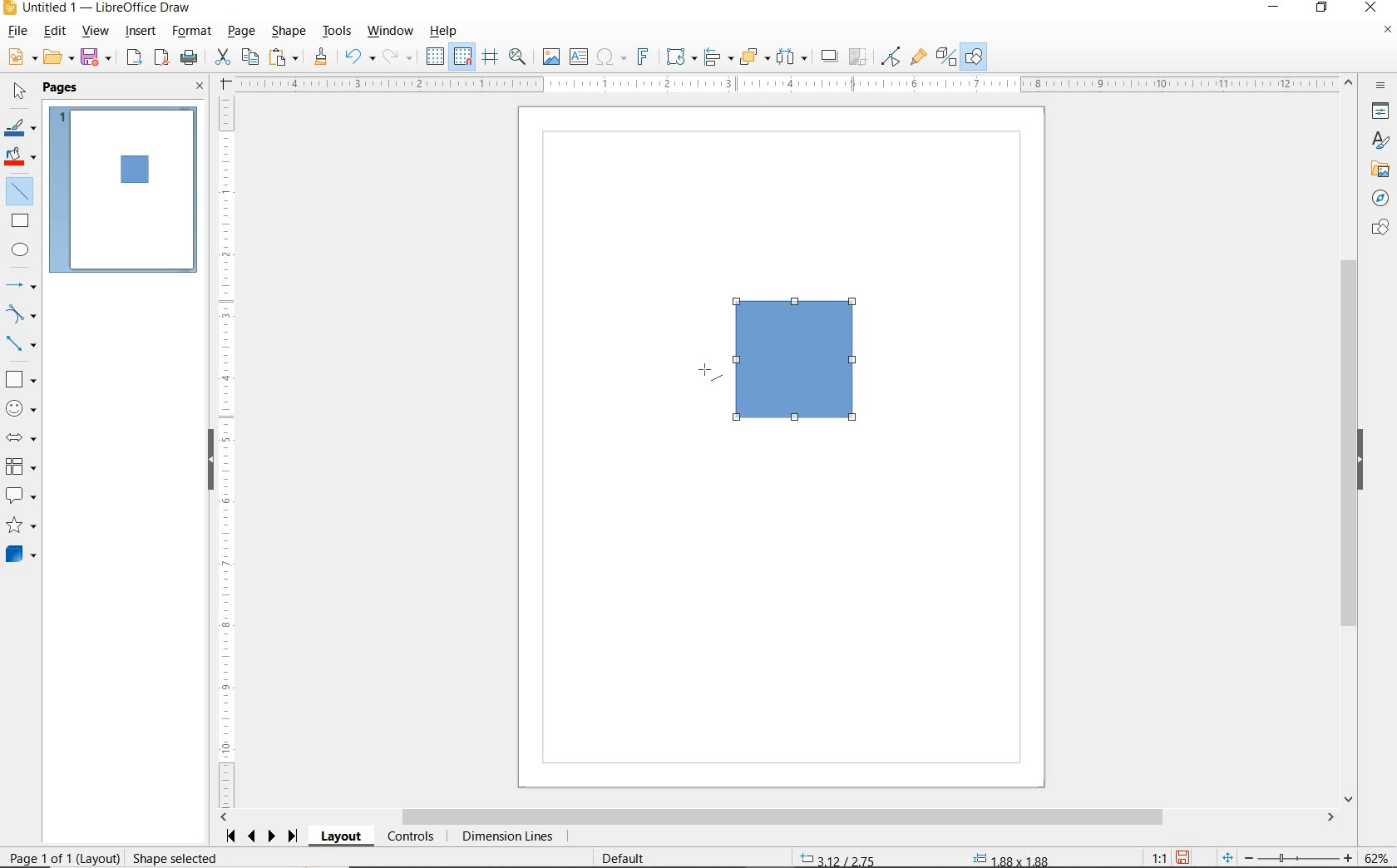 The width and height of the screenshot is (1397, 868). What do you see at coordinates (163, 59) in the screenshot?
I see `EXPORT AS PDF` at bounding box center [163, 59].